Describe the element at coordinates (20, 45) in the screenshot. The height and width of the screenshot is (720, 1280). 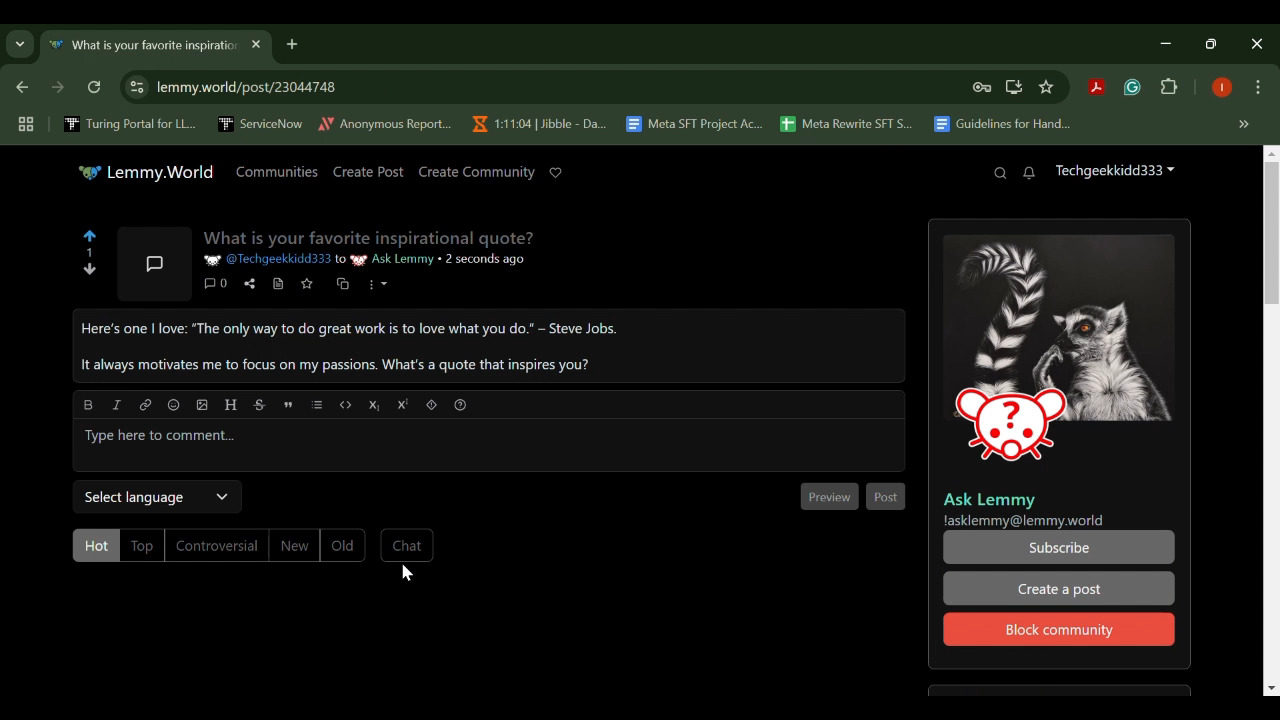
I see `Previous Page Dropdown Menu` at that location.